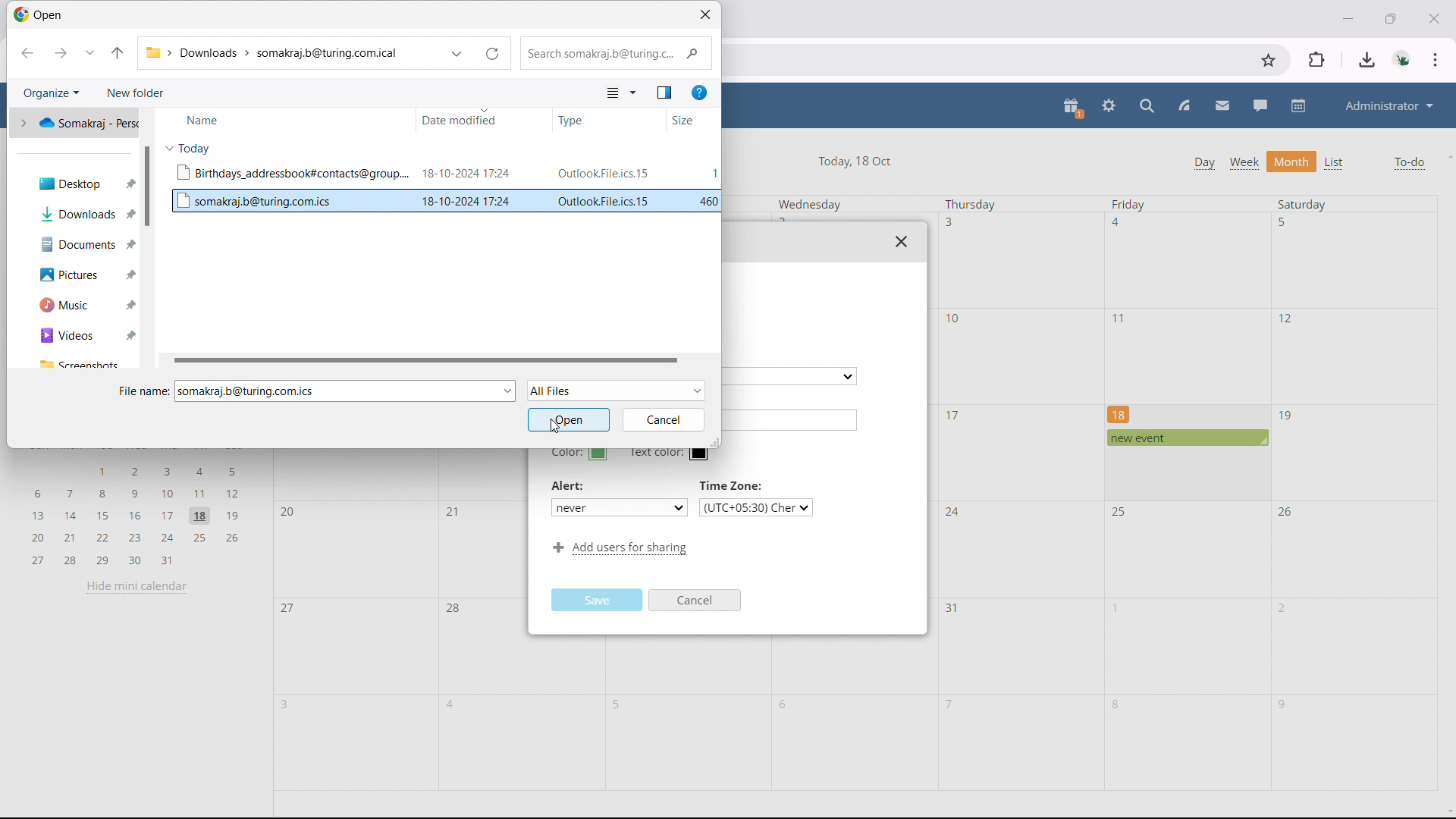 Image resolution: width=1456 pixels, height=819 pixels. I want to click on > Downloads > somakraj.b@turing.comiical, so click(276, 54).